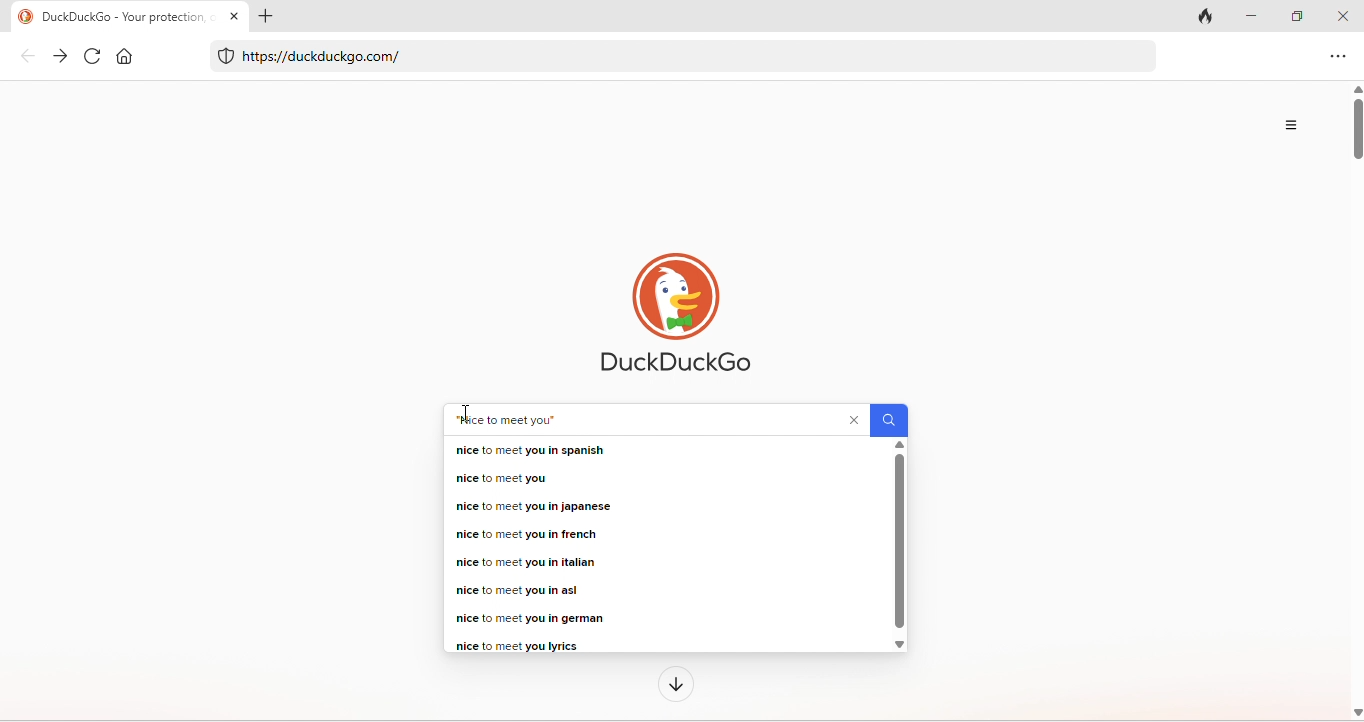 Image resolution: width=1364 pixels, height=722 pixels. What do you see at coordinates (516, 590) in the screenshot?
I see `‘nice to meet you in asl` at bounding box center [516, 590].